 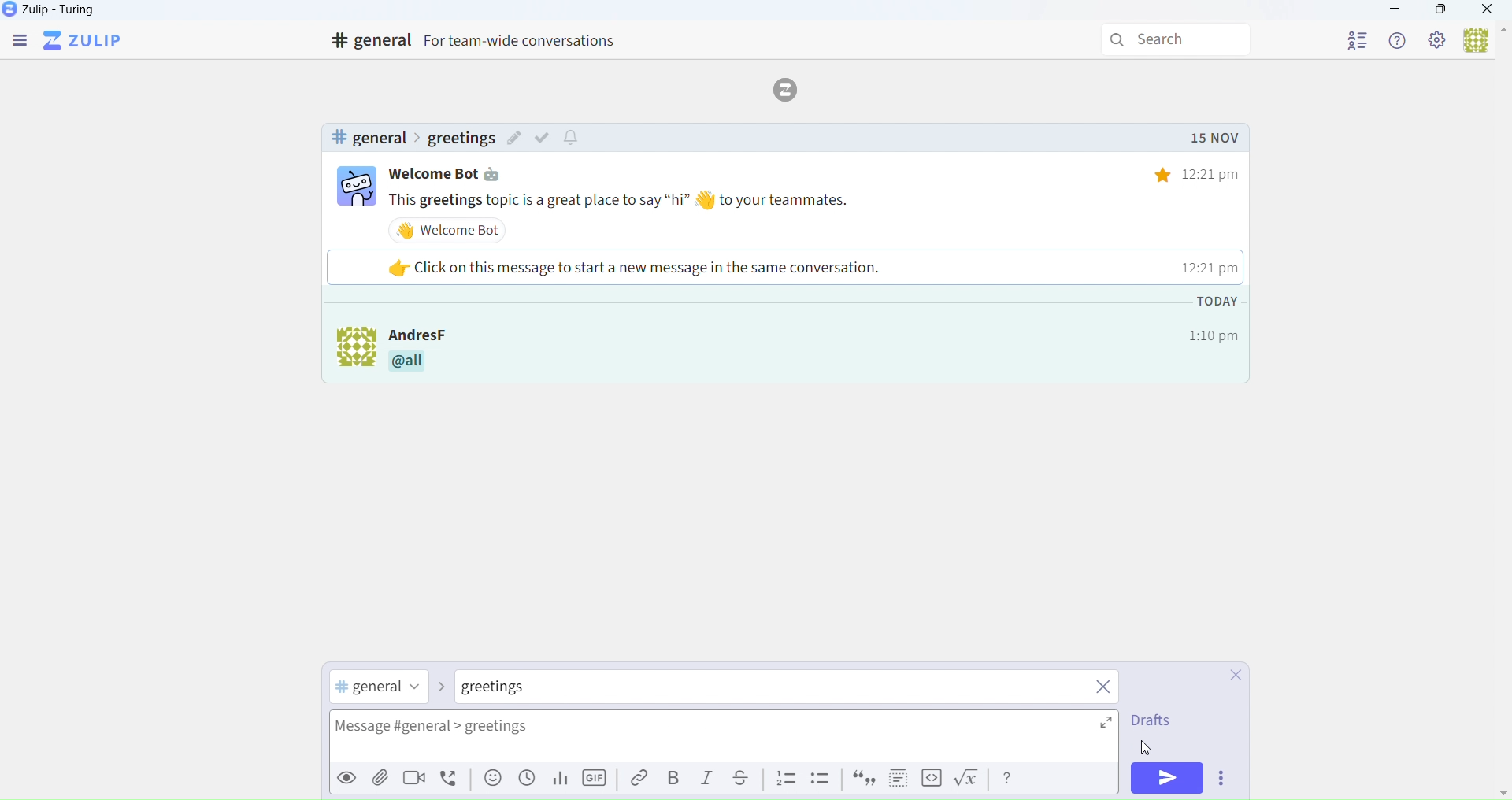 What do you see at coordinates (527, 783) in the screenshot?
I see `schedule` at bounding box center [527, 783].